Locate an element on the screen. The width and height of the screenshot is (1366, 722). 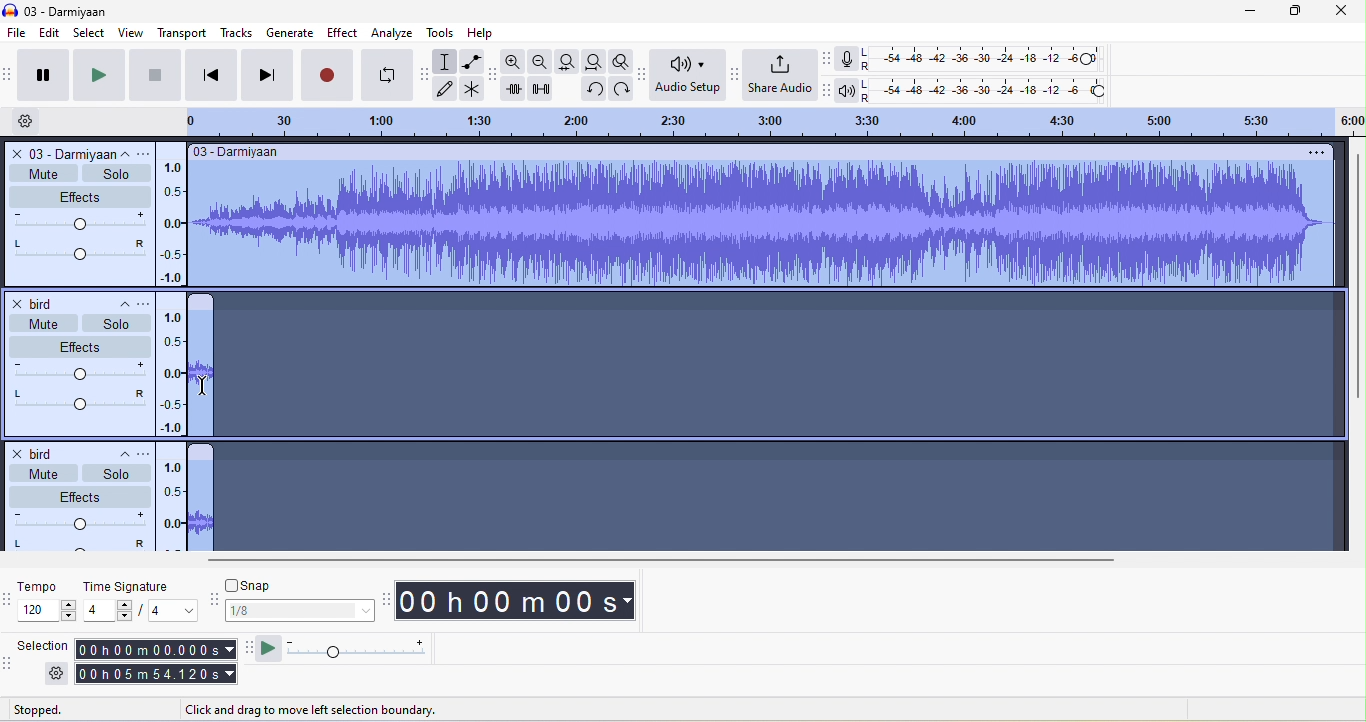
trim audio outside selection is located at coordinates (518, 91).